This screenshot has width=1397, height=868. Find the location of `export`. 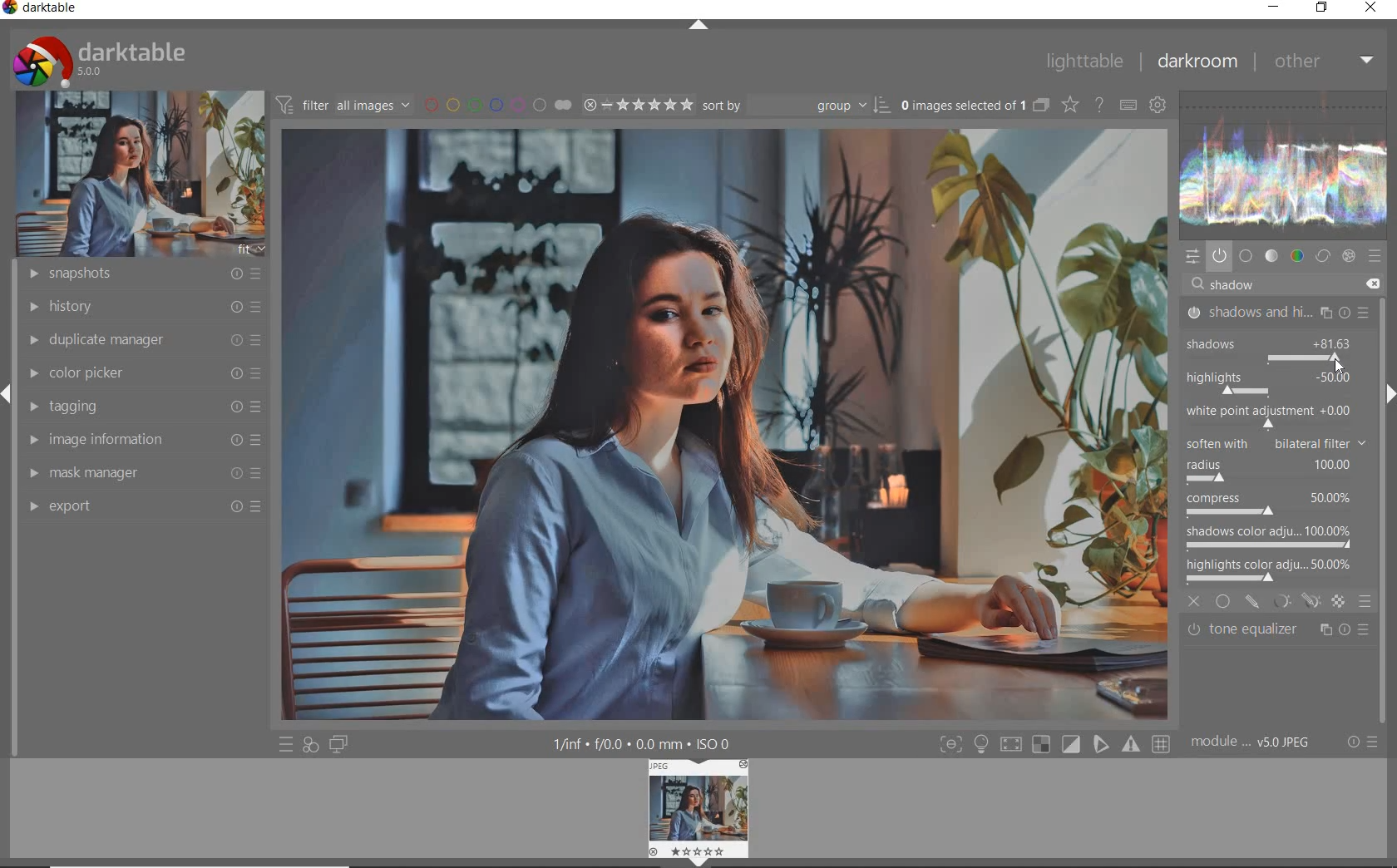

export is located at coordinates (142, 506).